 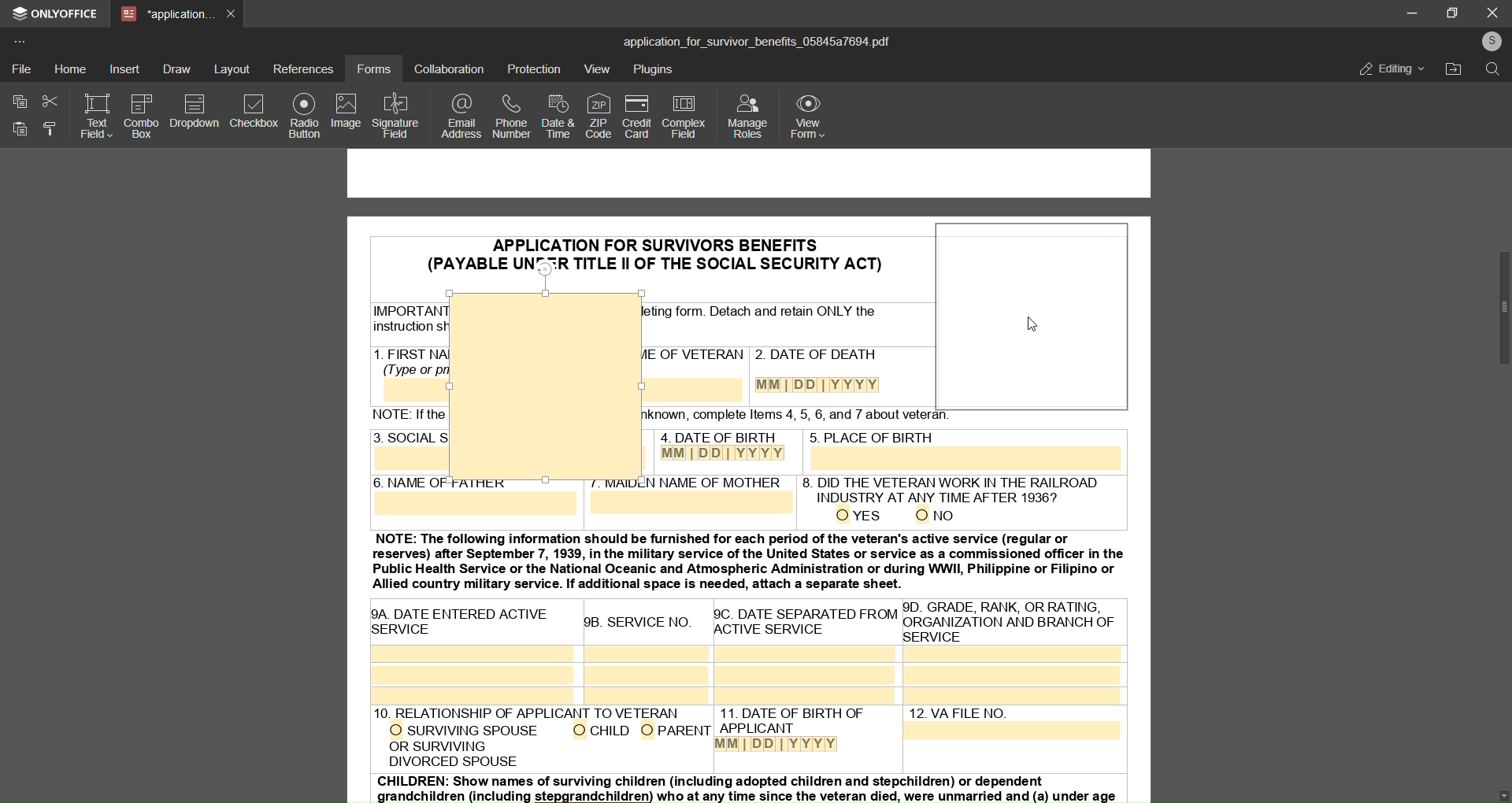 What do you see at coordinates (19, 130) in the screenshot?
I see `paste` at bounding box center [19, 130].